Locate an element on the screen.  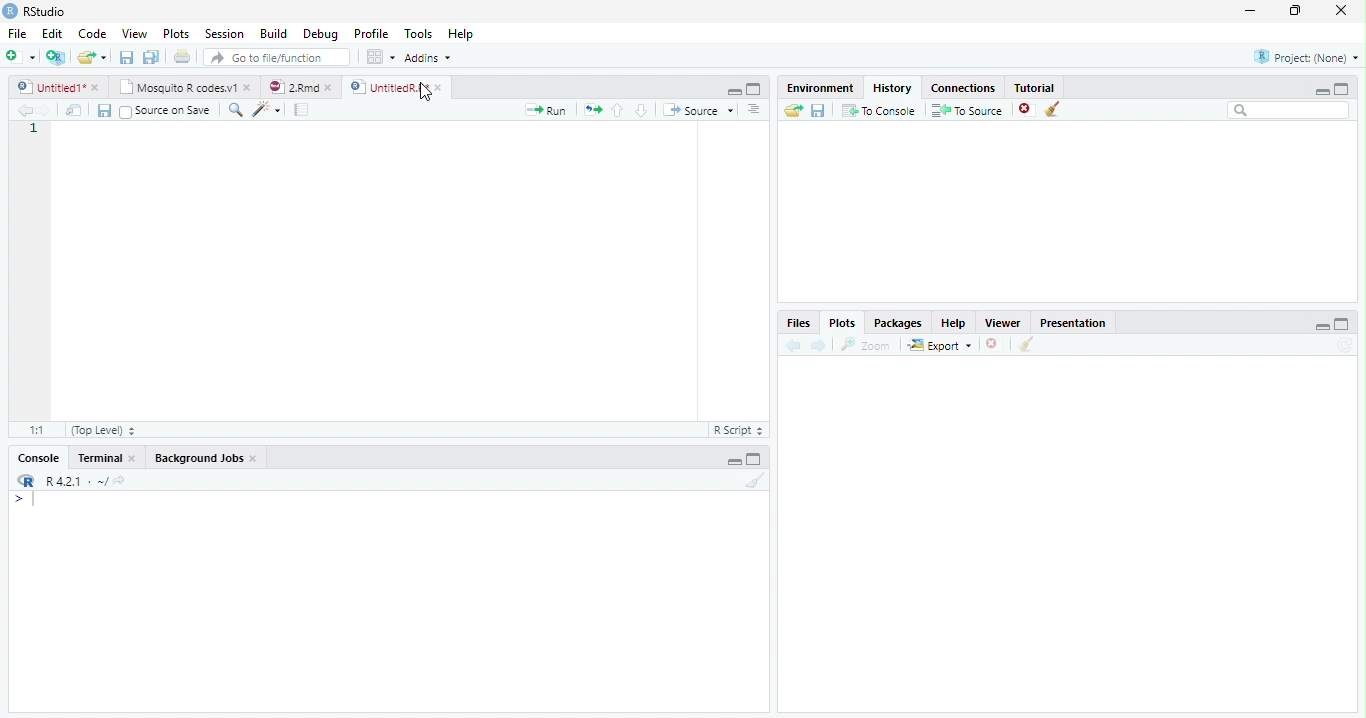
Export is located at coordinates (941, 345).